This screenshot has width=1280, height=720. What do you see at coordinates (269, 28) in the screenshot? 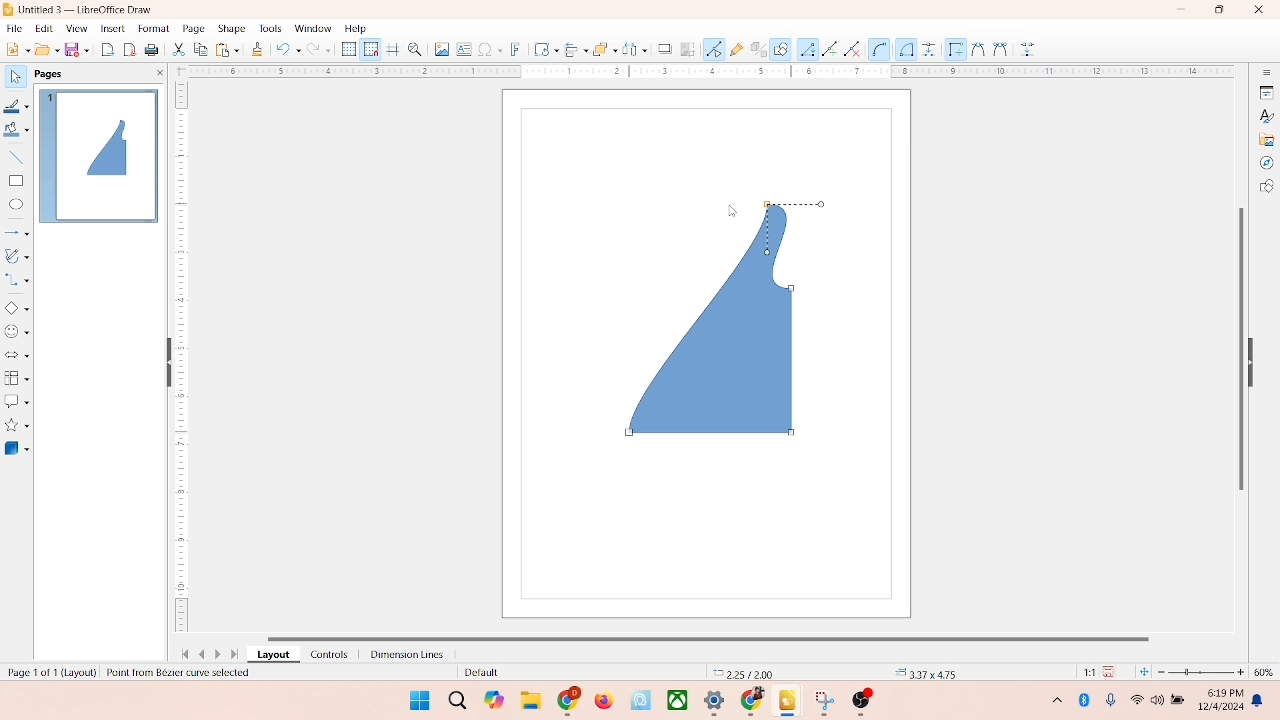
I see `tools` at bounding box center [269, 28].